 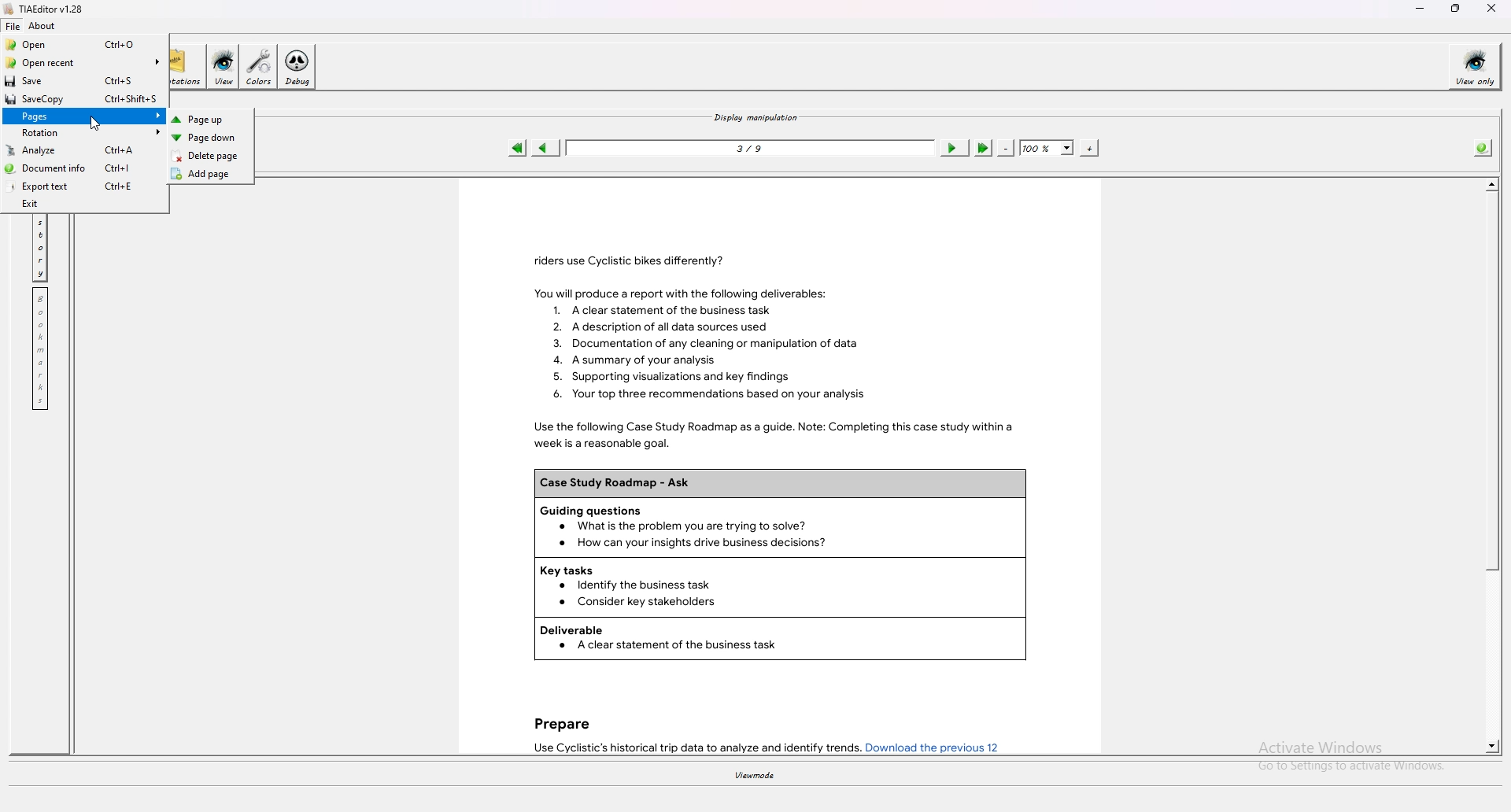 I want to click on file, so click(x=12, y=26).